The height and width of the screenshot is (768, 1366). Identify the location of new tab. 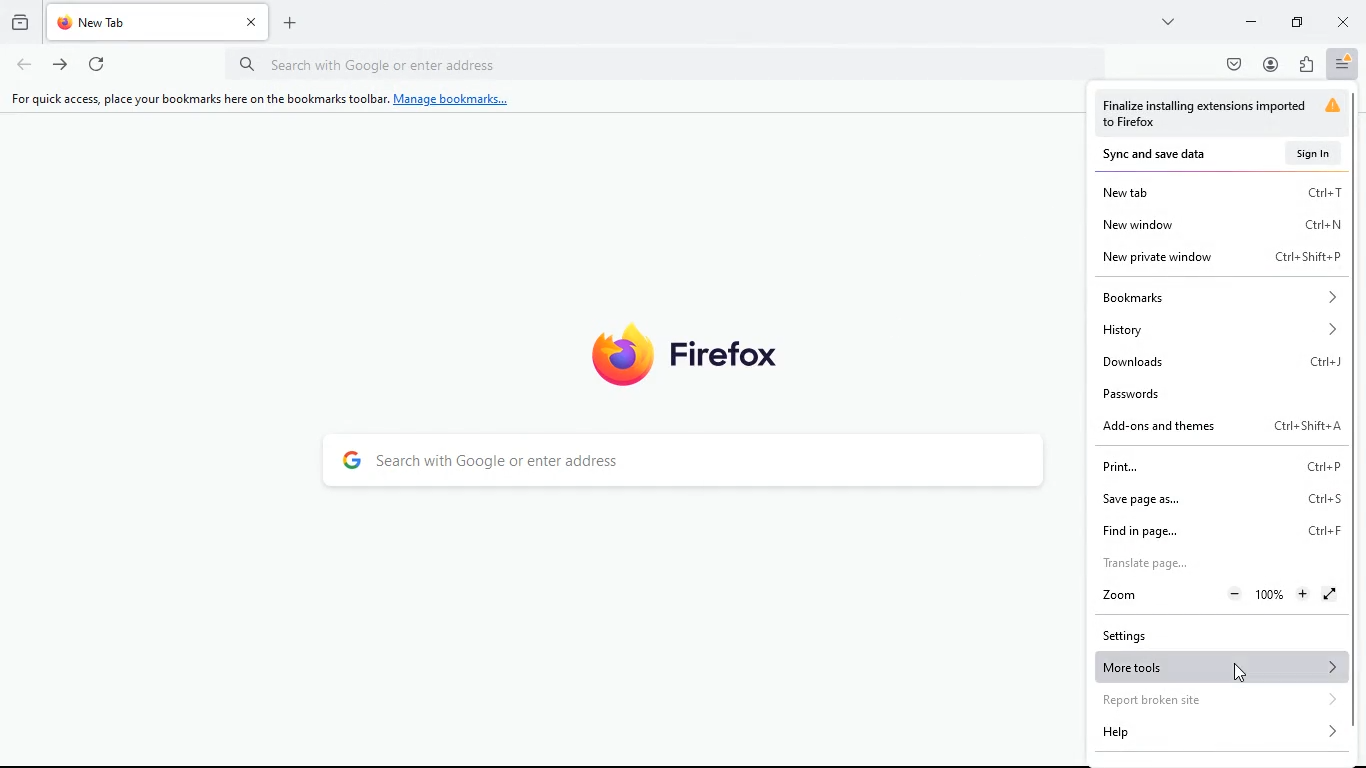
(1222, 193).